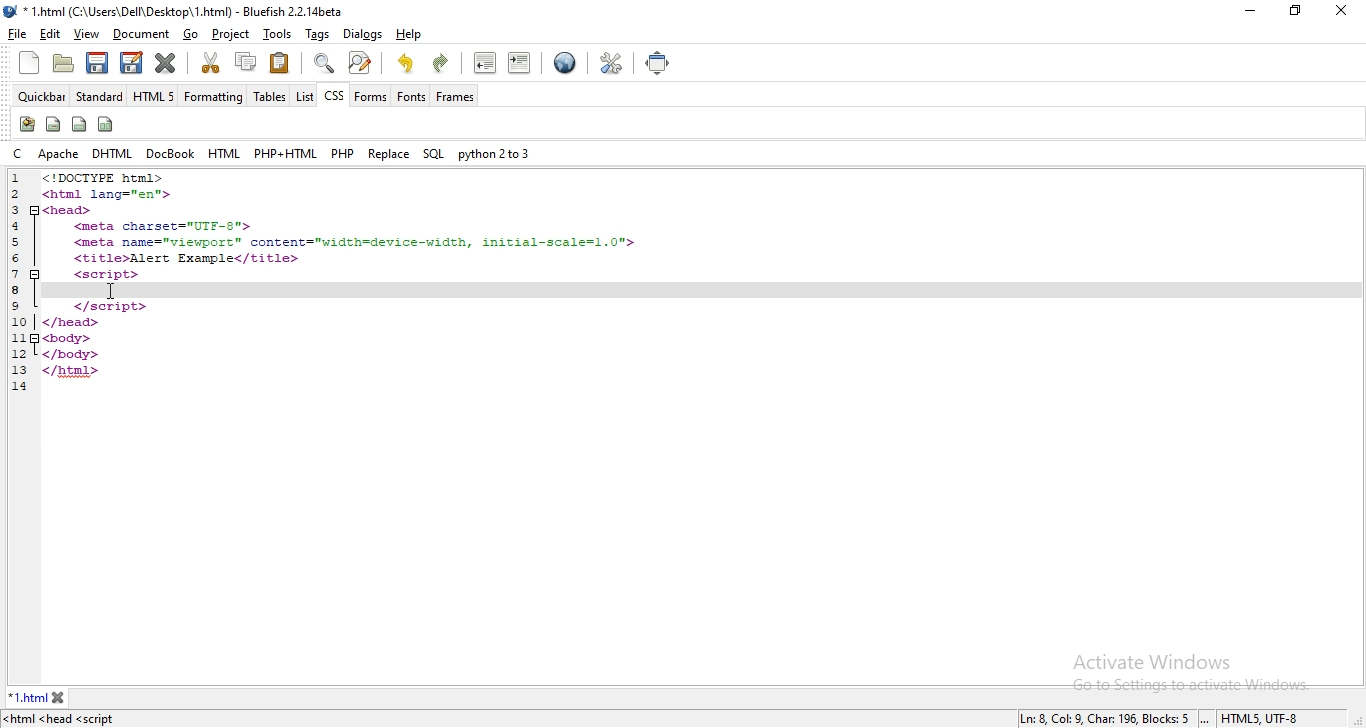 The height and width of the screenshot is (728, 1366). What do you see at coordinates (341, 153) in the screenshot?
I see `php` at bounding box center [341, 153].